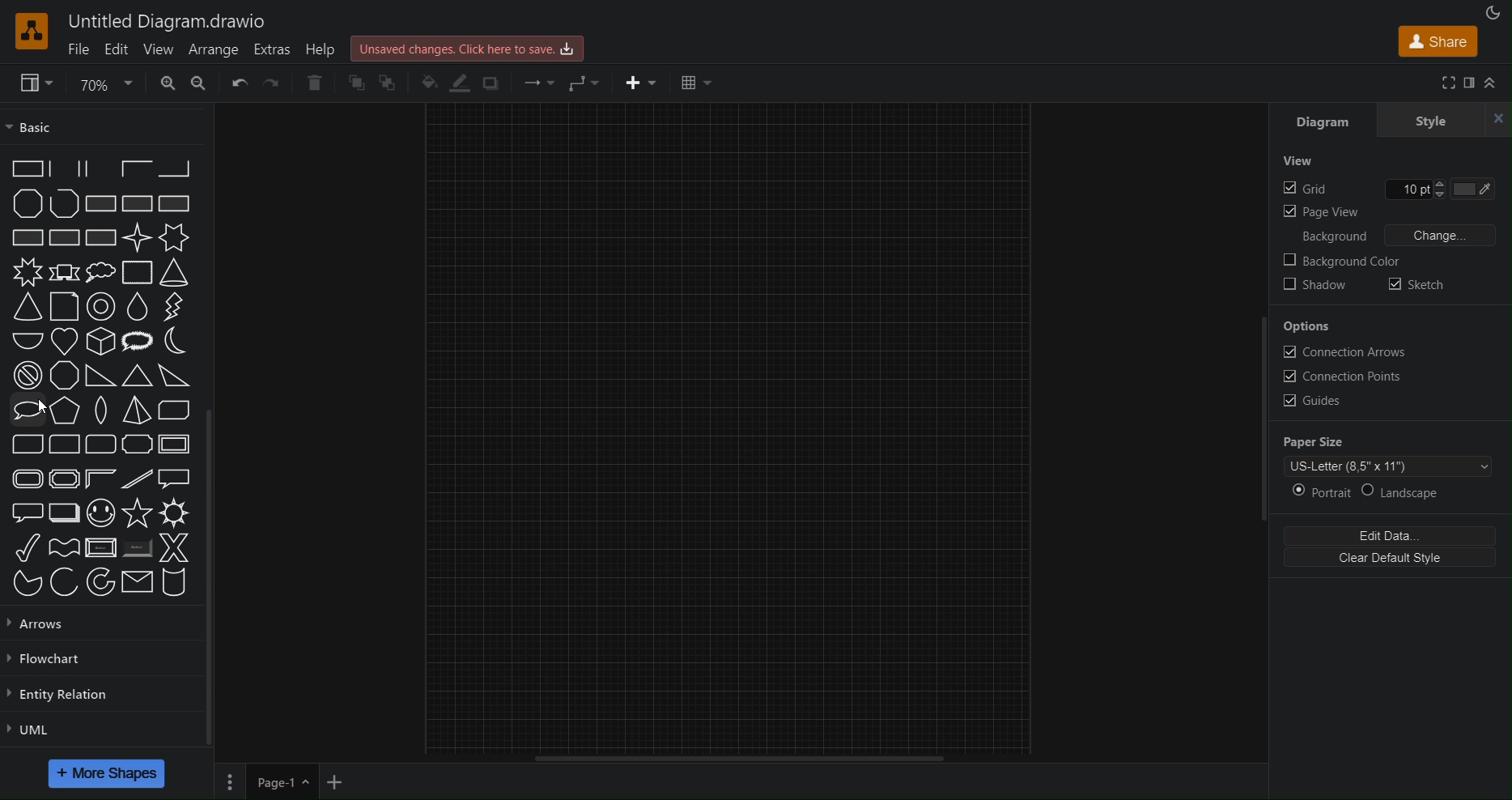 Image resolution: width=1512 pixels, height=800 pixels. I want to click on New Page, so click(337, 780).